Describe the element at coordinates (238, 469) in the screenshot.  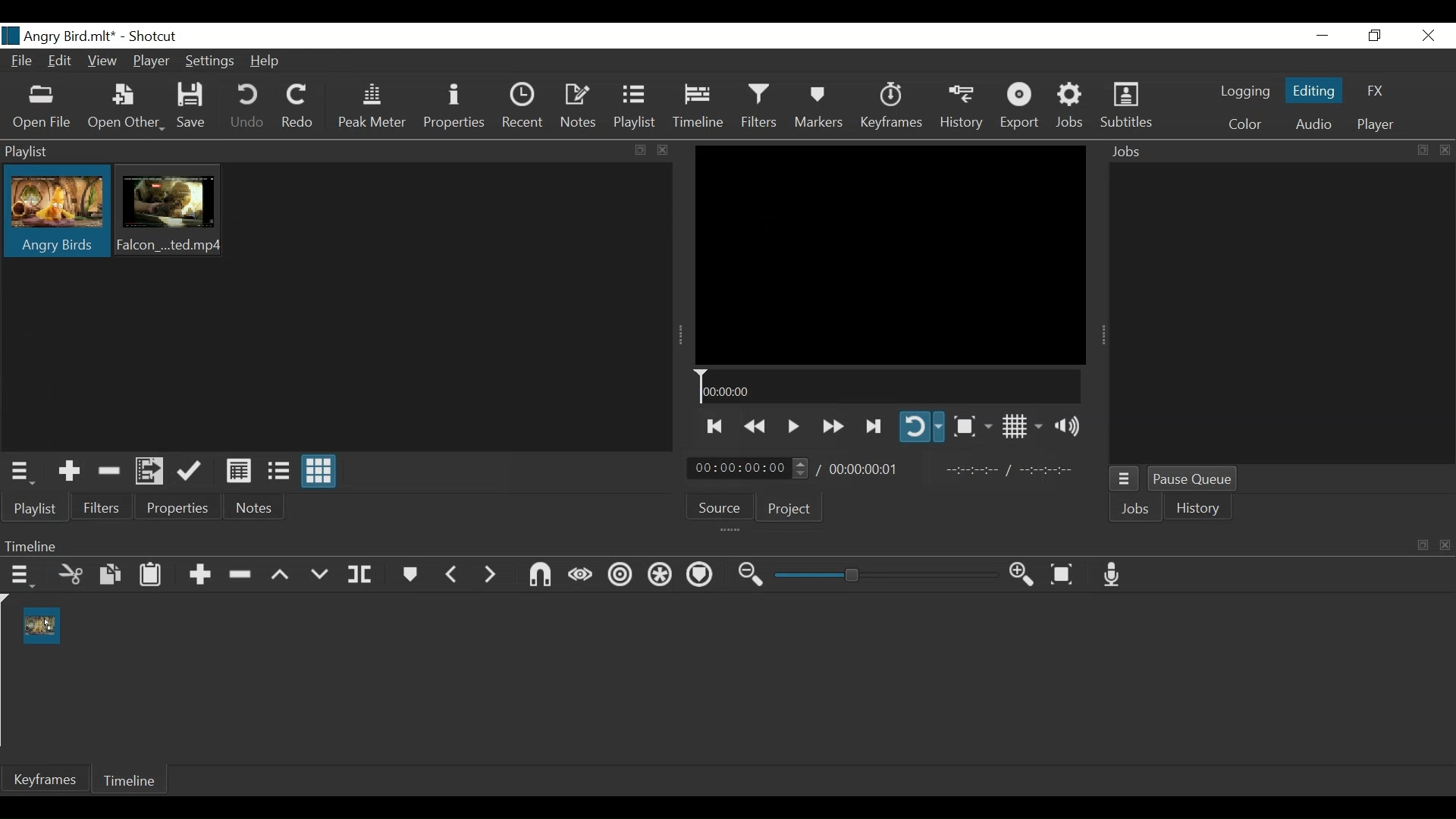
I see `View as Detail` at that location.